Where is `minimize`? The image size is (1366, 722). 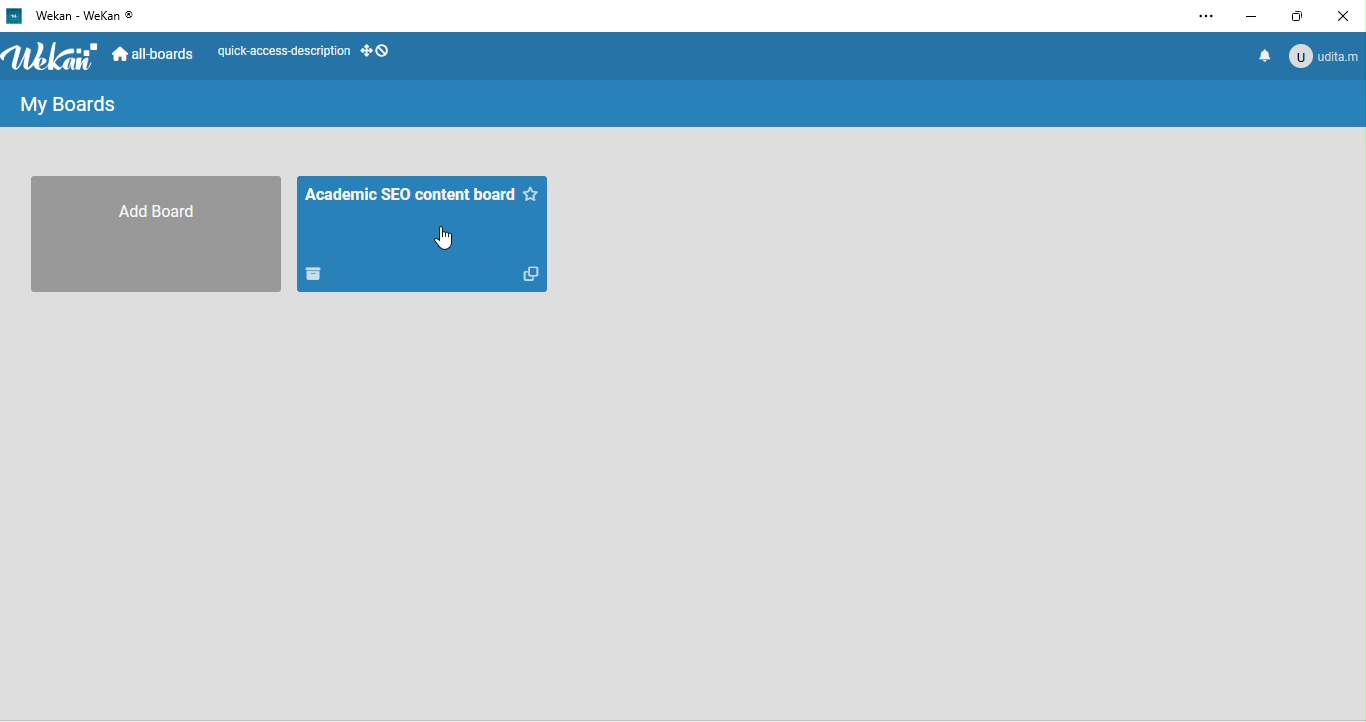 minimize is located at coordinates (1250, 17).